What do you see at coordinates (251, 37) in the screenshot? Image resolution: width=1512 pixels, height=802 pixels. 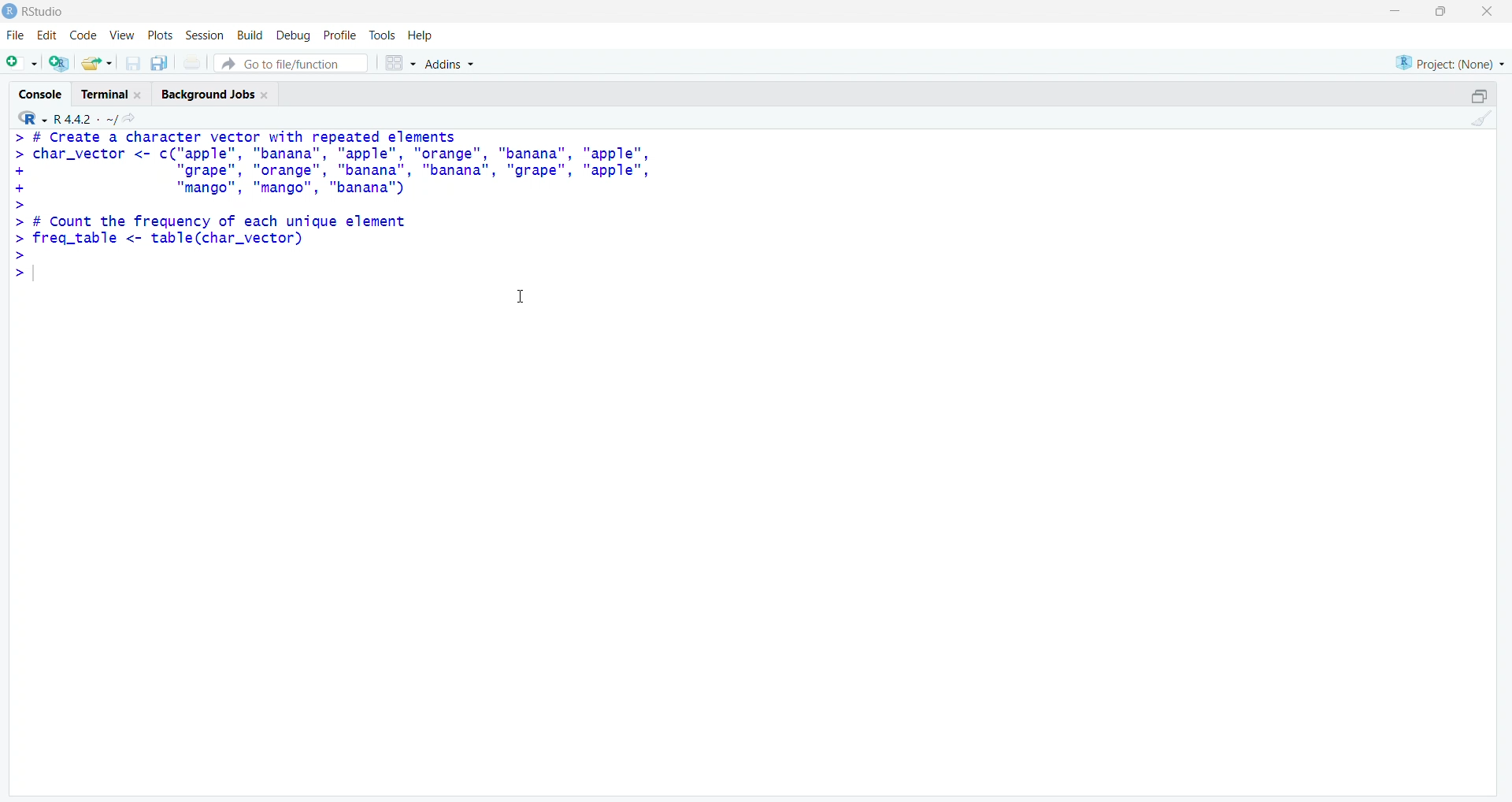 I see `Build` at bounding box center [251, 37].